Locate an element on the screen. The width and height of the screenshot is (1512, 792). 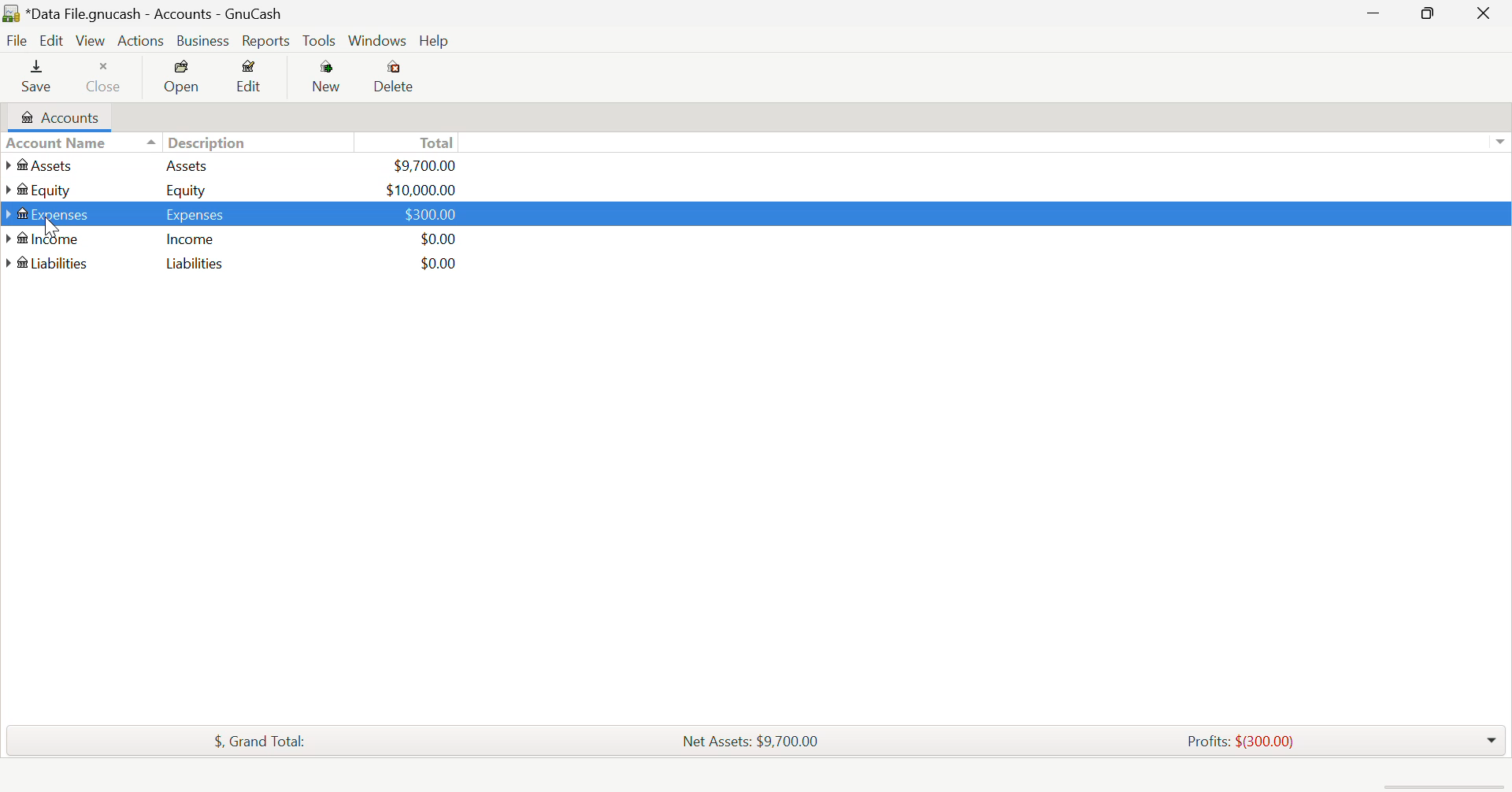
Business is located at coordinates (203, 41).